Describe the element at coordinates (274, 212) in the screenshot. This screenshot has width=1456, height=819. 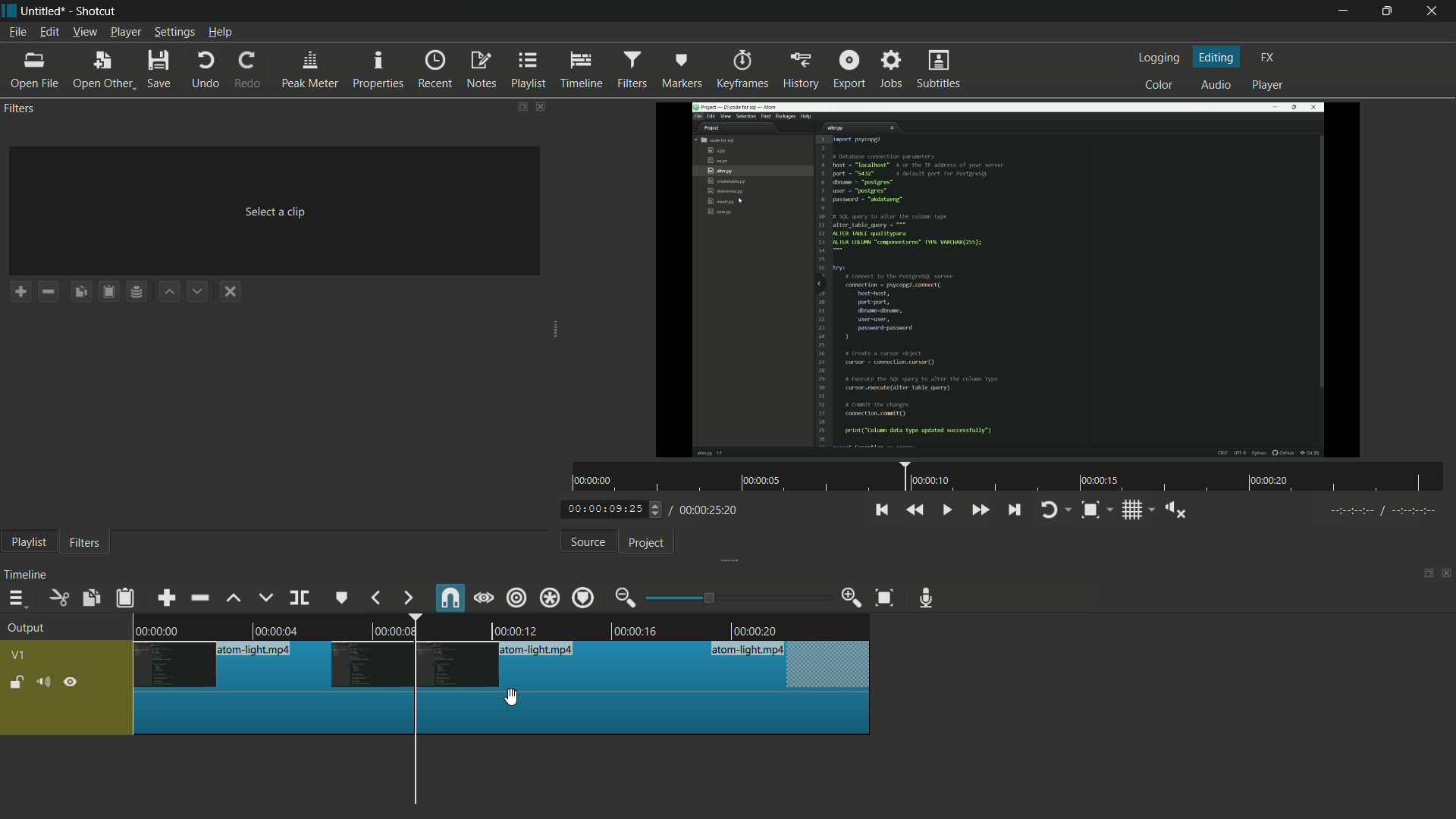
I see `` at that location.